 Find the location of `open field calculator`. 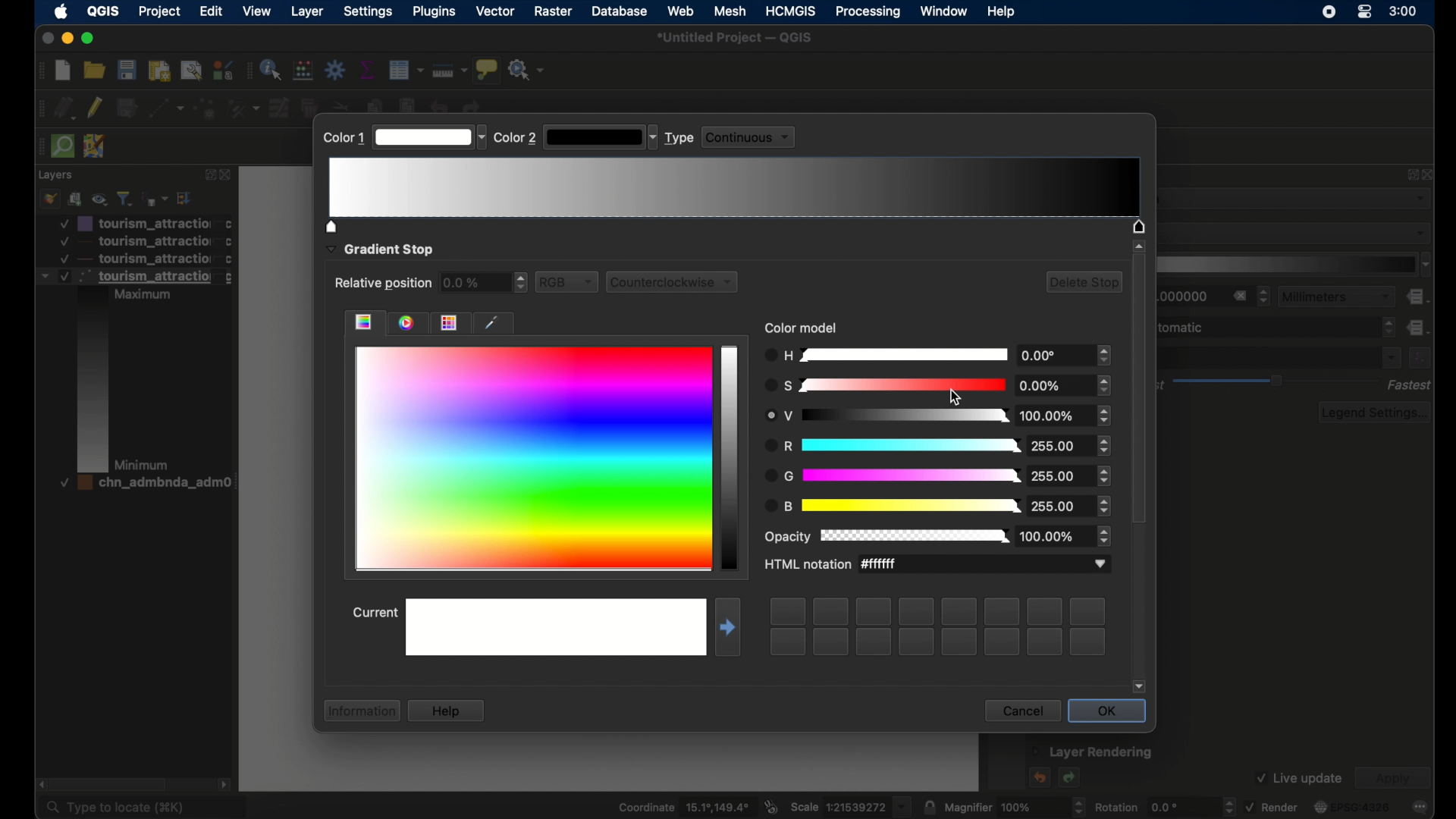

open field calculator is located at coordinates (302, 70).